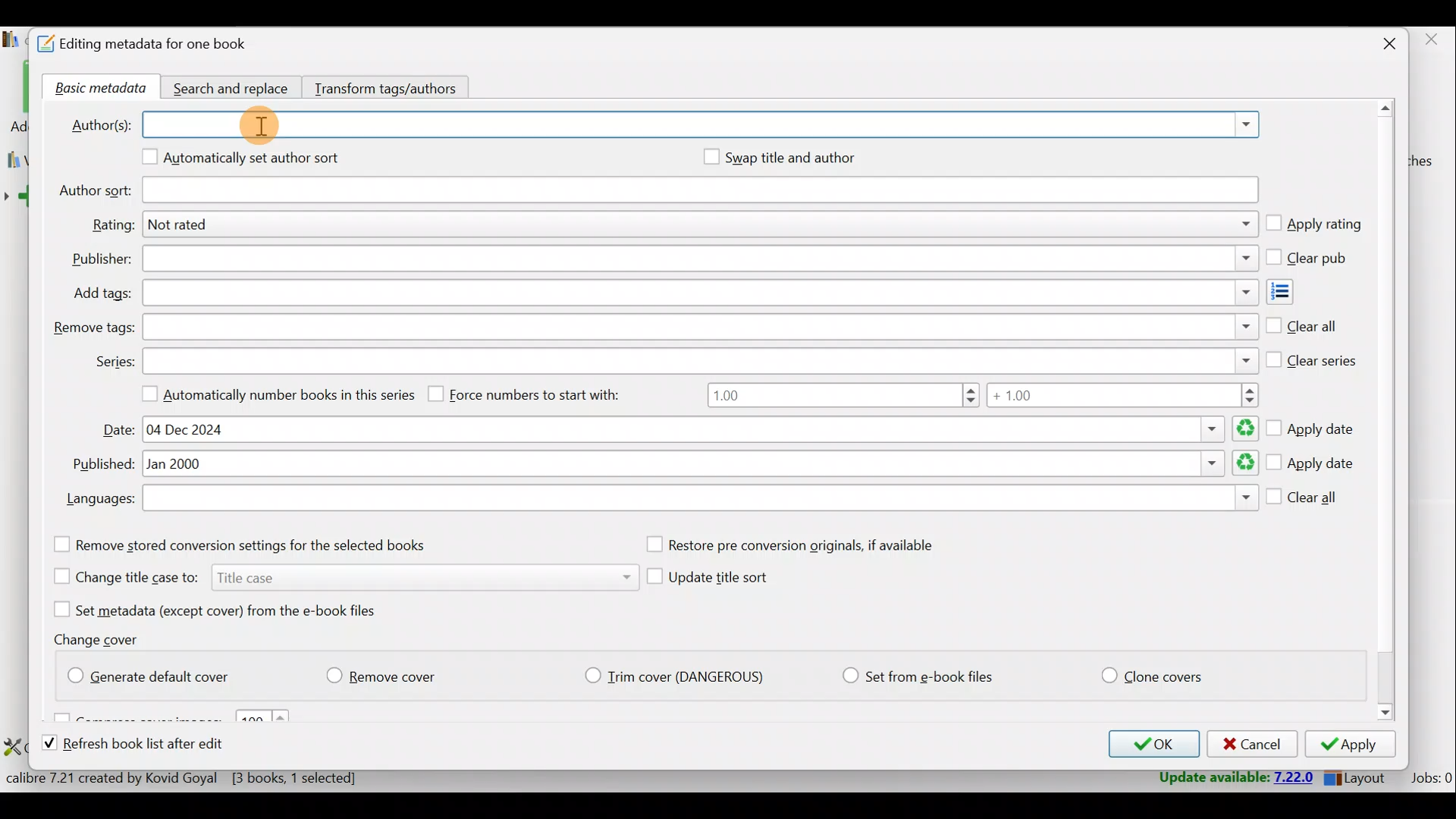 The image size is (1456, 819). I want to click on Published, so click(701, 465).